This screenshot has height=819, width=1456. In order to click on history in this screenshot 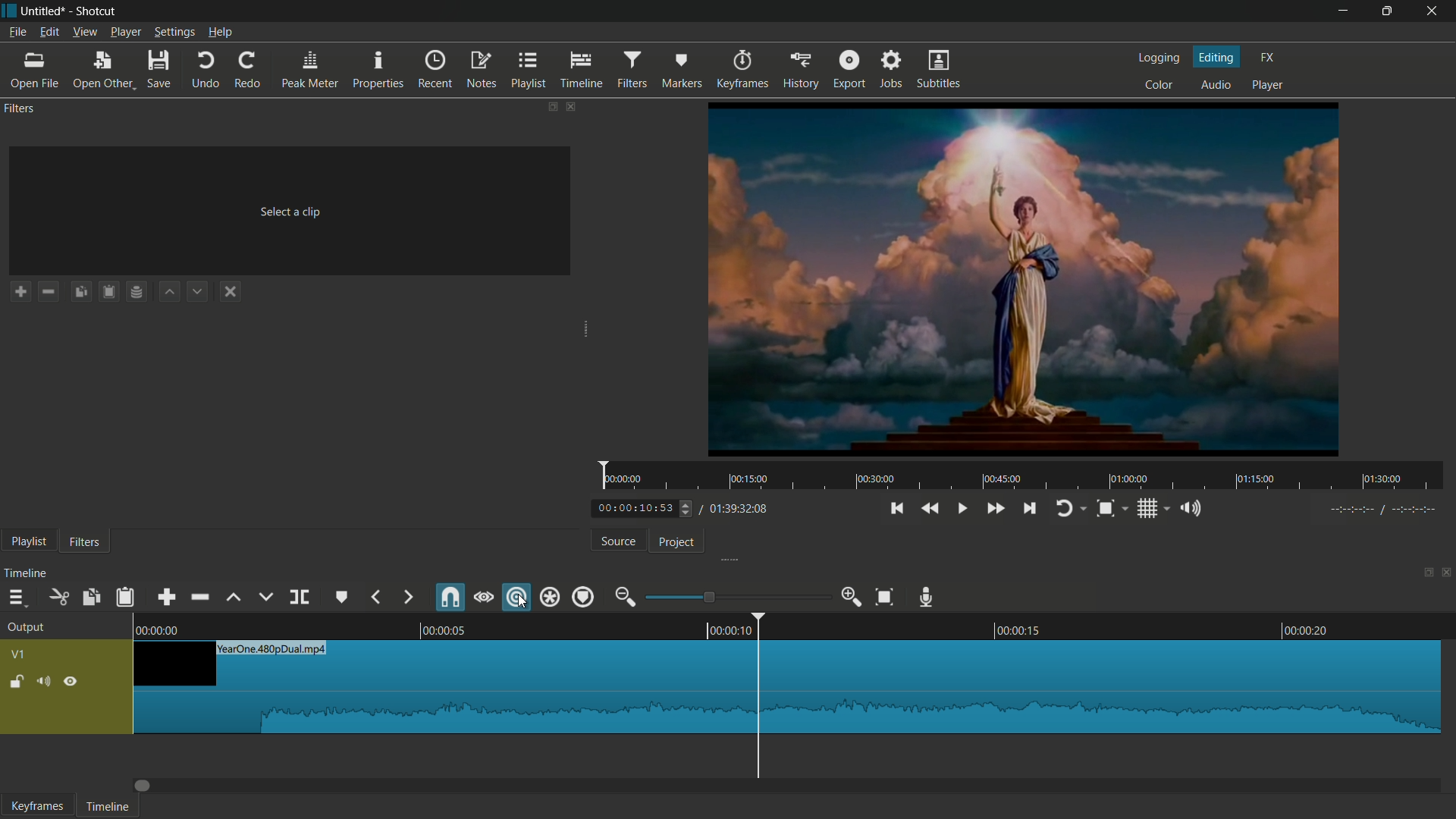, I will do `click(801, 69)`.